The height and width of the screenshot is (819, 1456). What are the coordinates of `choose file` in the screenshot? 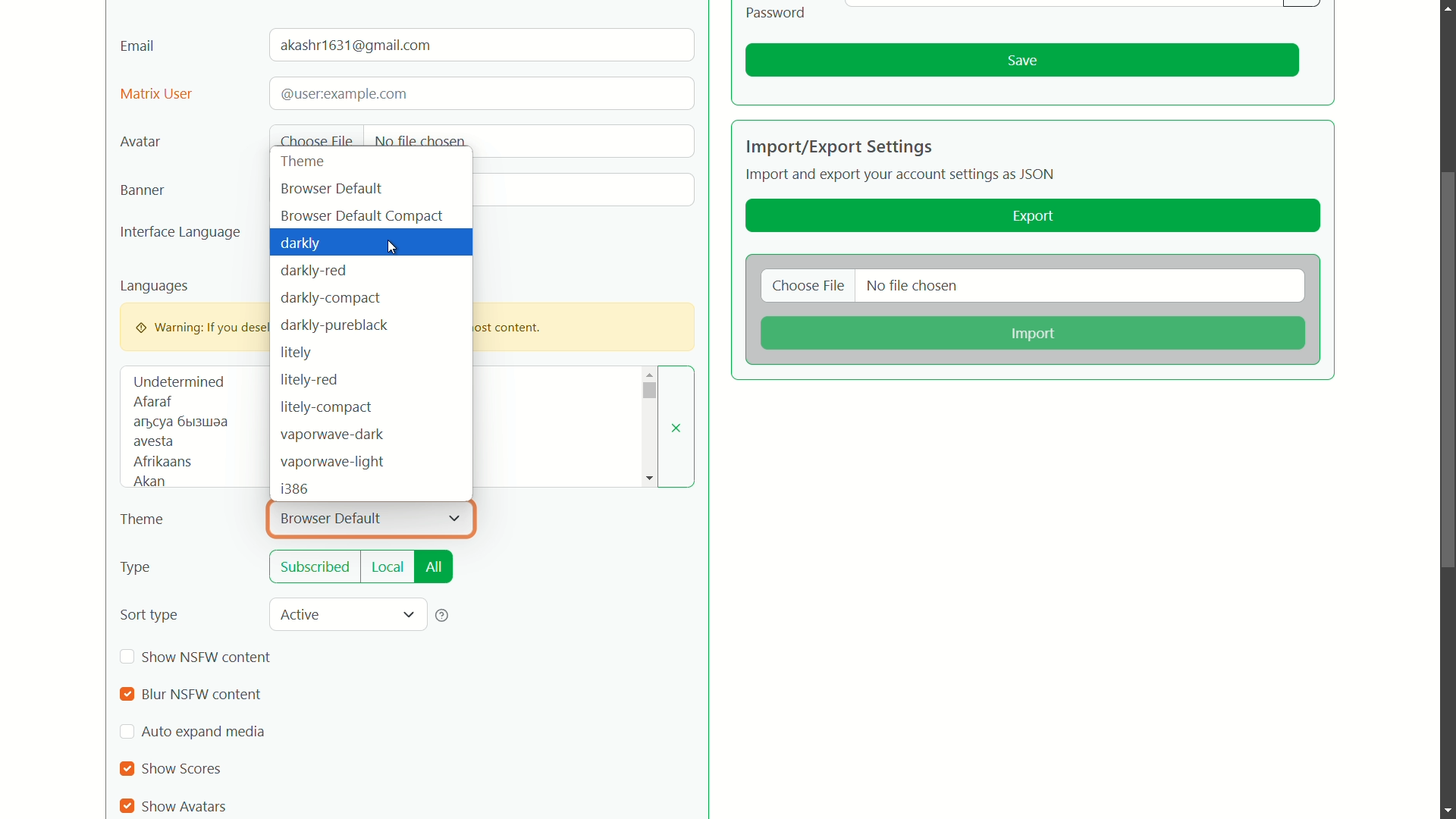 It's located at (809, 287).